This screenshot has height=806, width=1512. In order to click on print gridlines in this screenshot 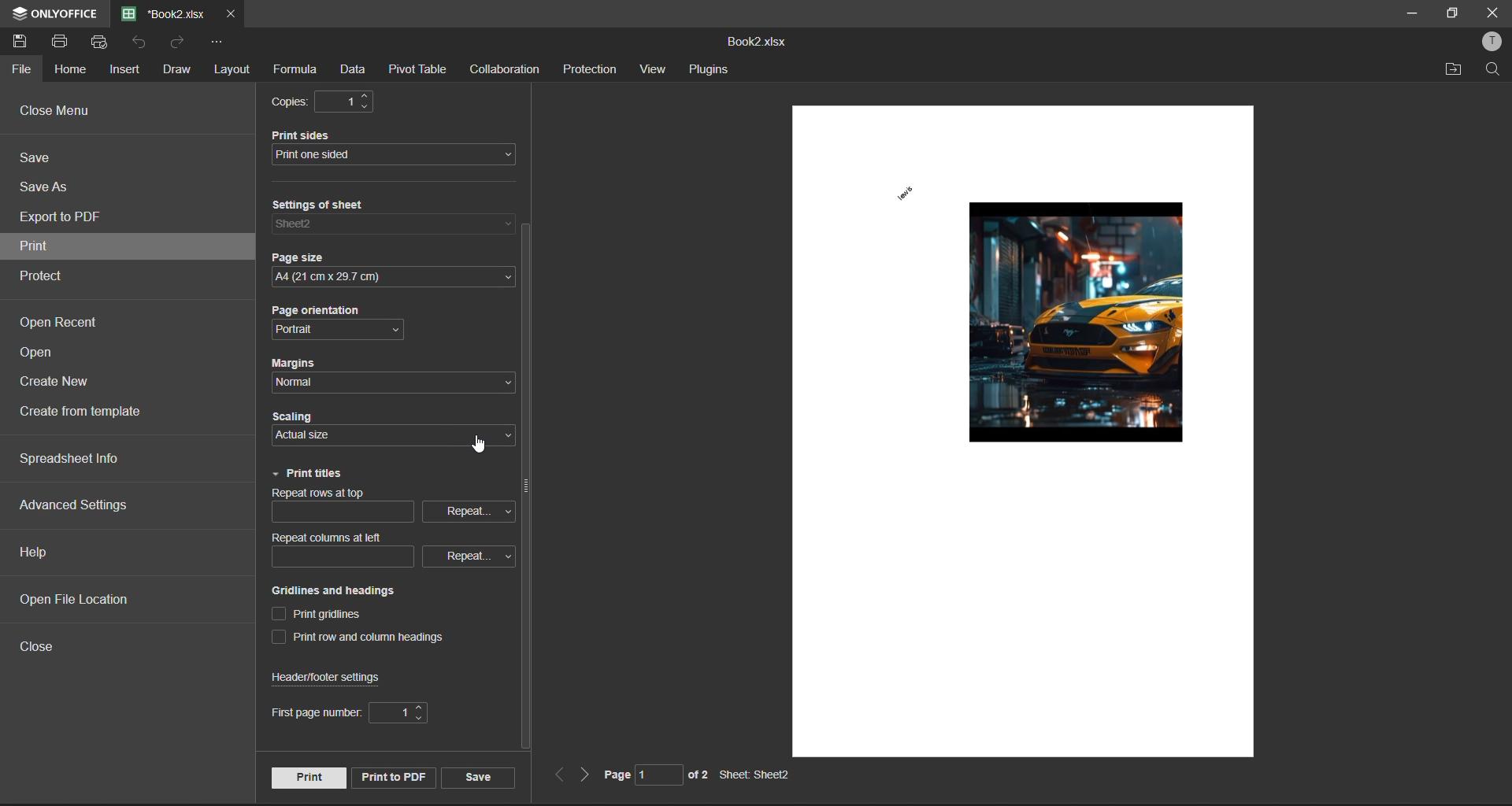, I will do `click(325, 614)`.